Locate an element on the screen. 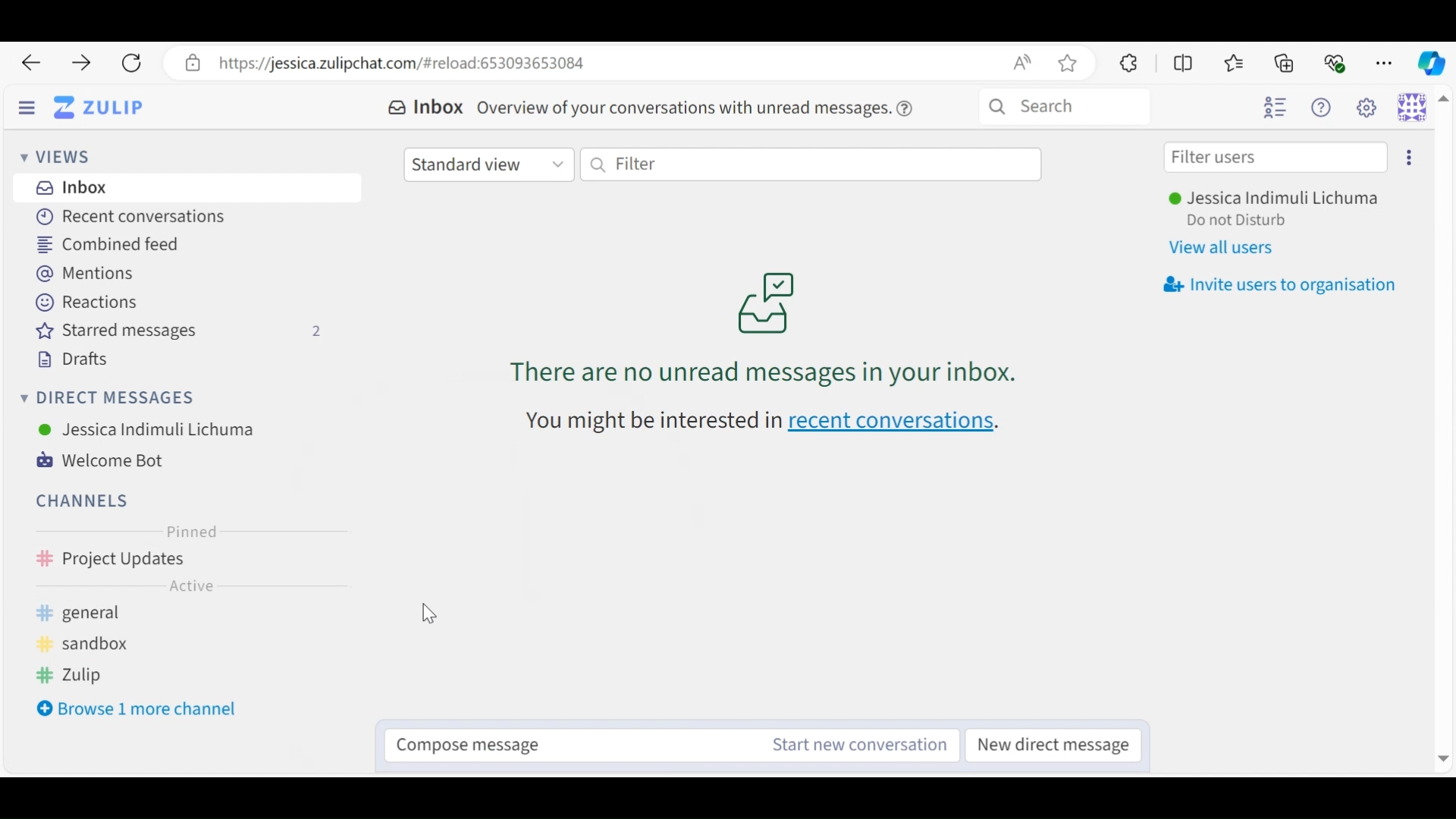 The image size is (1456, 819). Go to Home View is located at coordinates (98, 108).